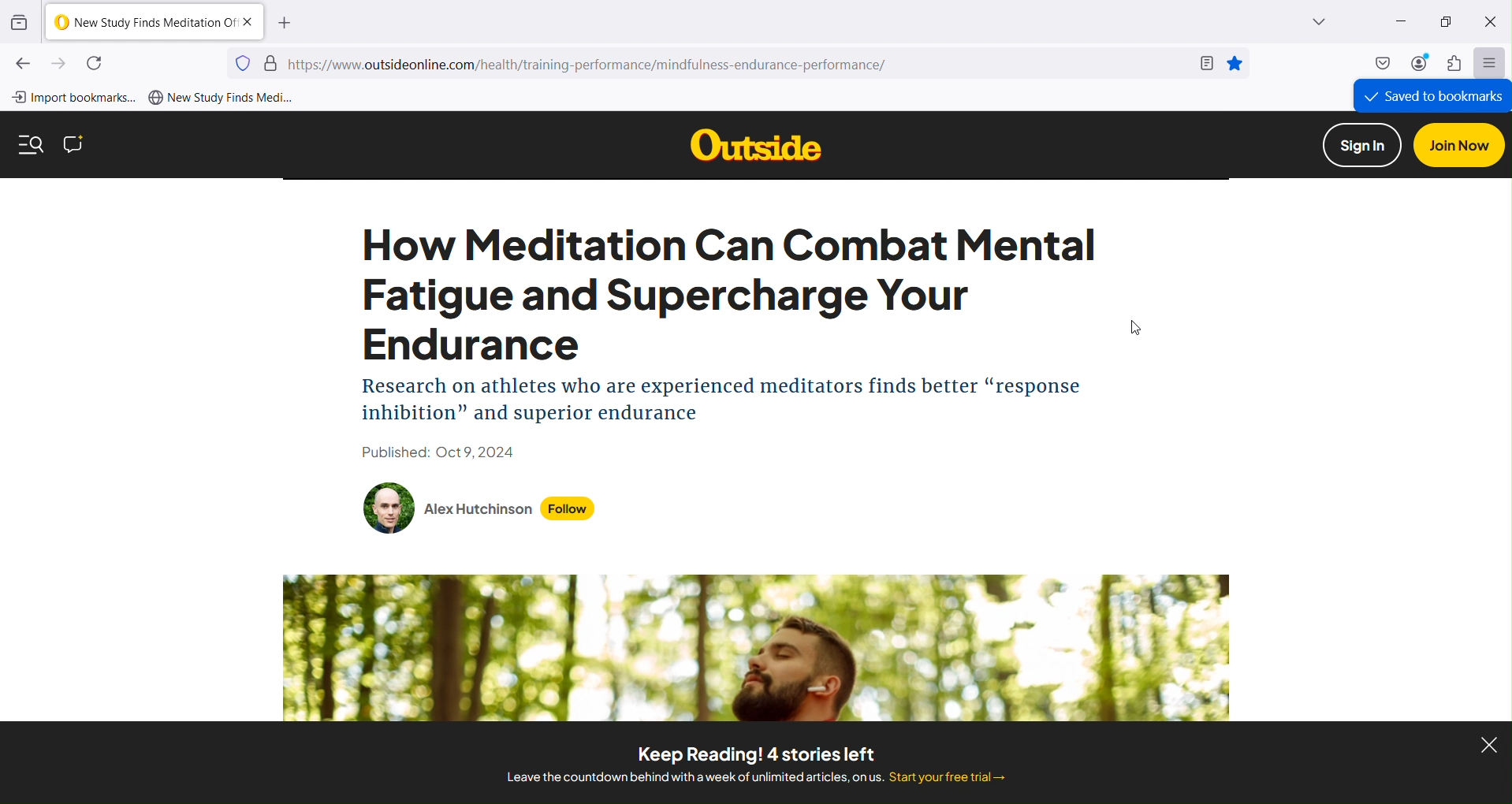 This screenshot has height=804, width=1512. What do you see at coordinates (73, 144) in the screenshot?
I see `Comment` at bounding box center [73, 144].